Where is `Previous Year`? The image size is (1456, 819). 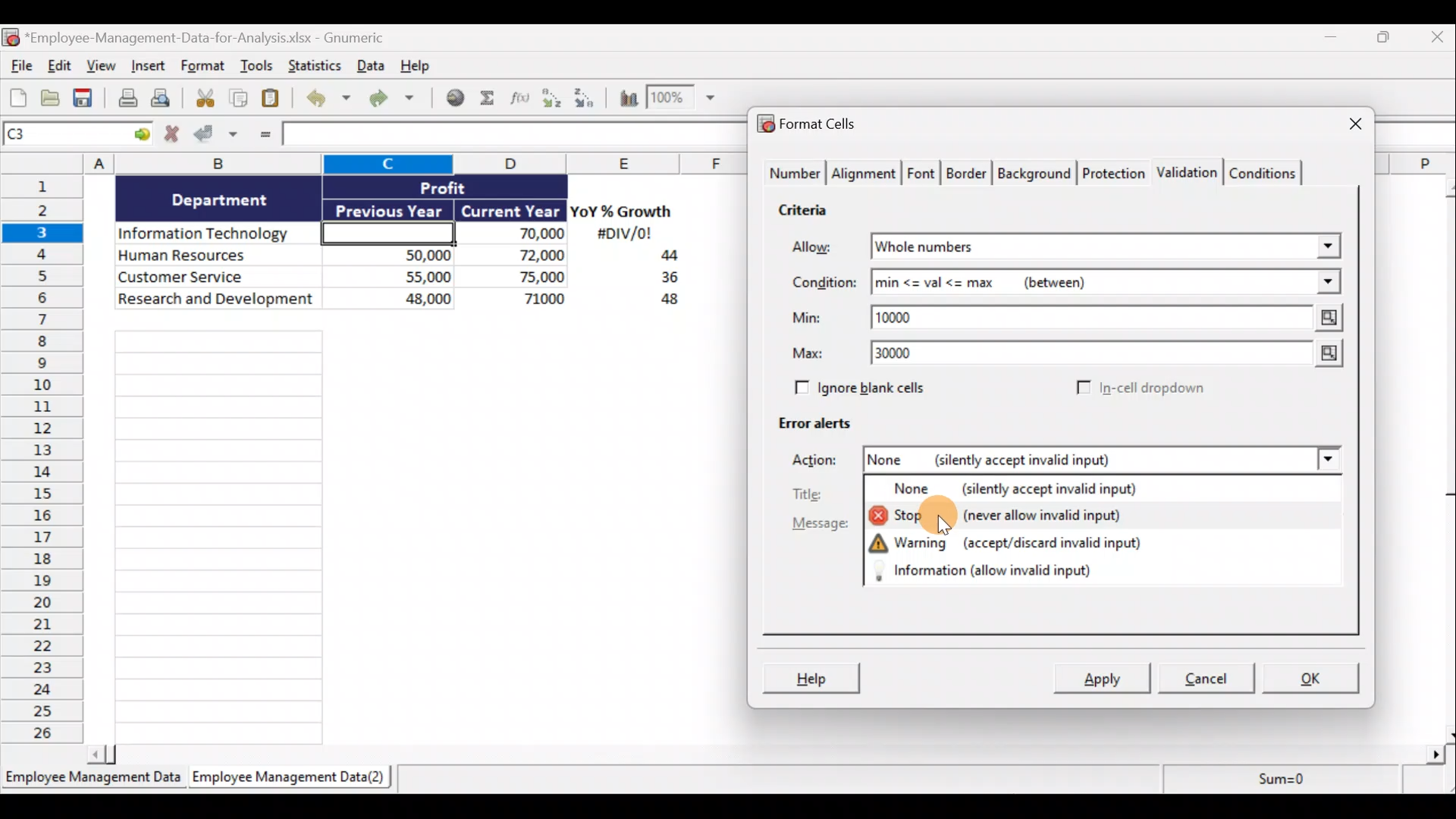
Previous Year is located at coordinates (390, 208).